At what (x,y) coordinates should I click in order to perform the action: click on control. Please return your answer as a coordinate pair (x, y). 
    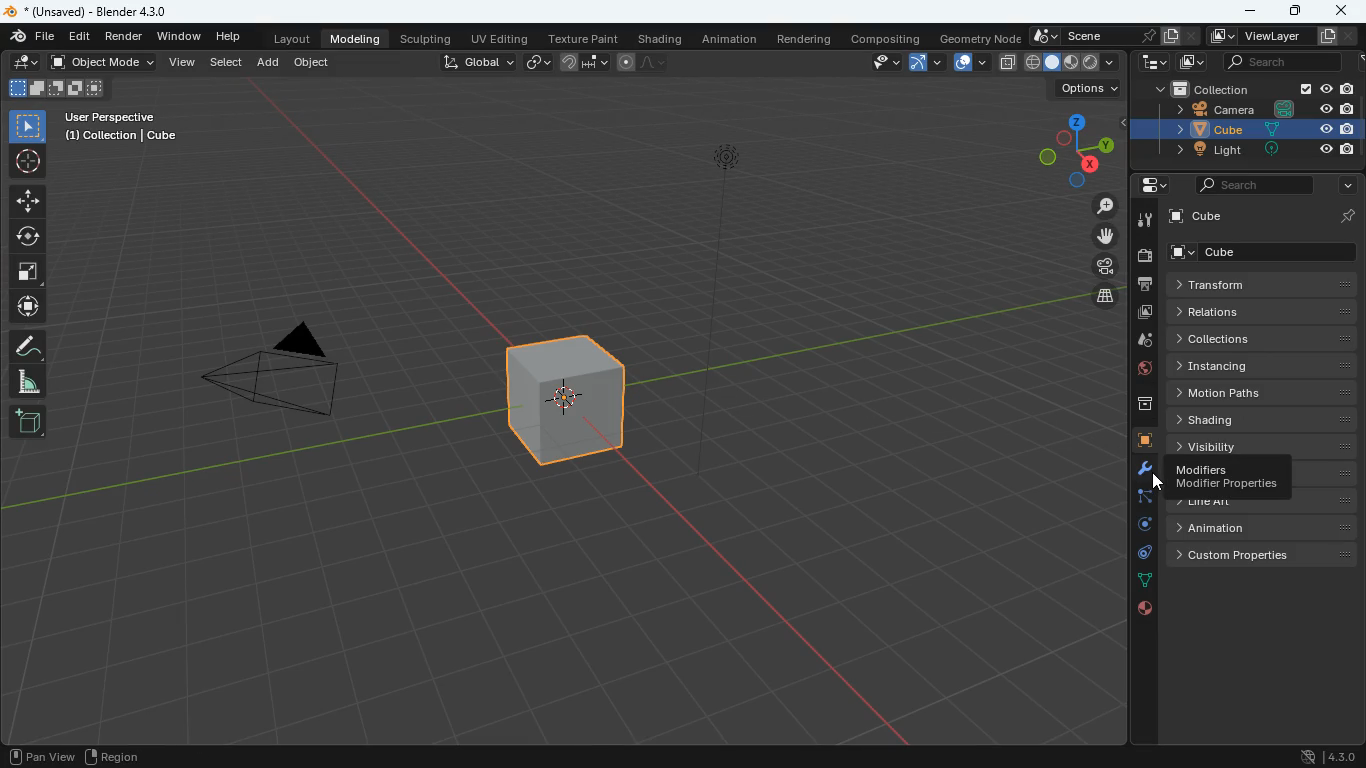
    Looking at the image, I should click on (1140, 555).